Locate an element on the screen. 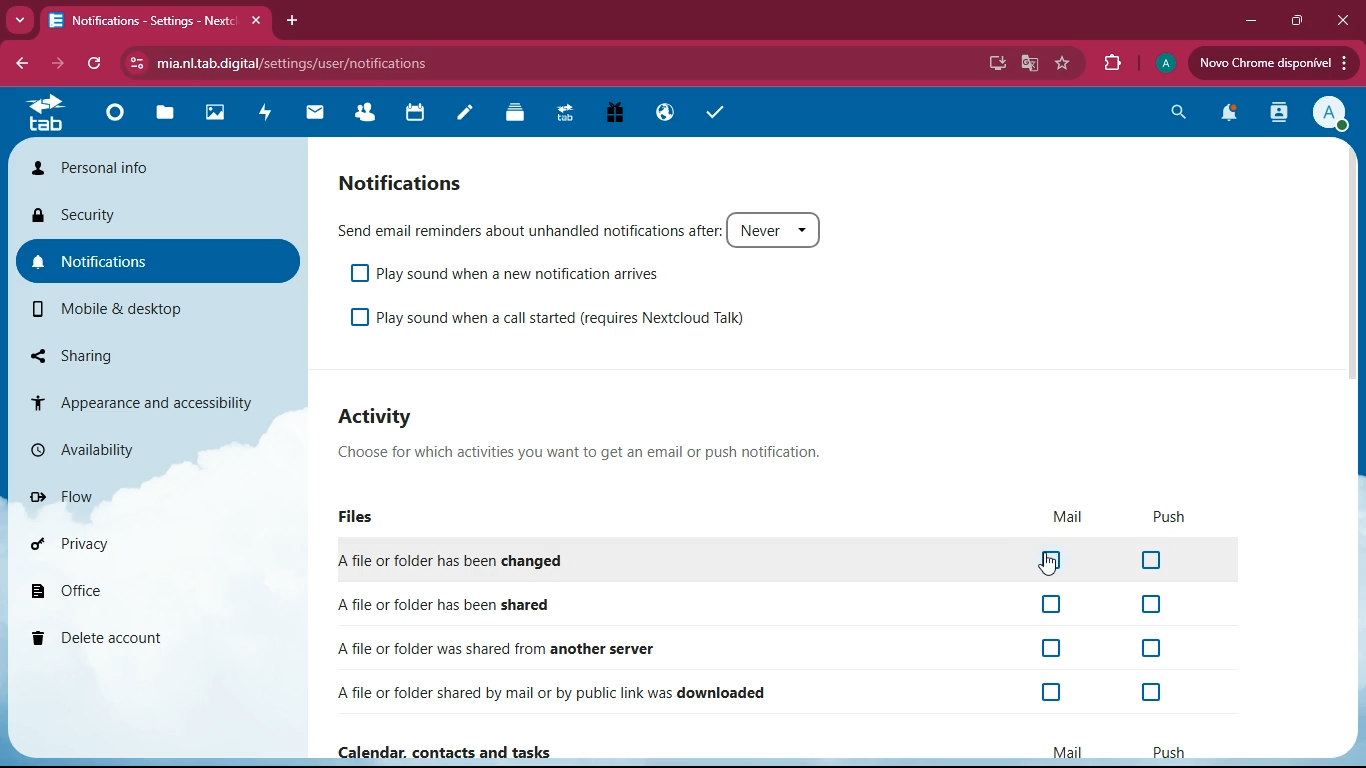 The width and height of the screenshot is (1366, 768). push is located at coordinates (1169, 753).